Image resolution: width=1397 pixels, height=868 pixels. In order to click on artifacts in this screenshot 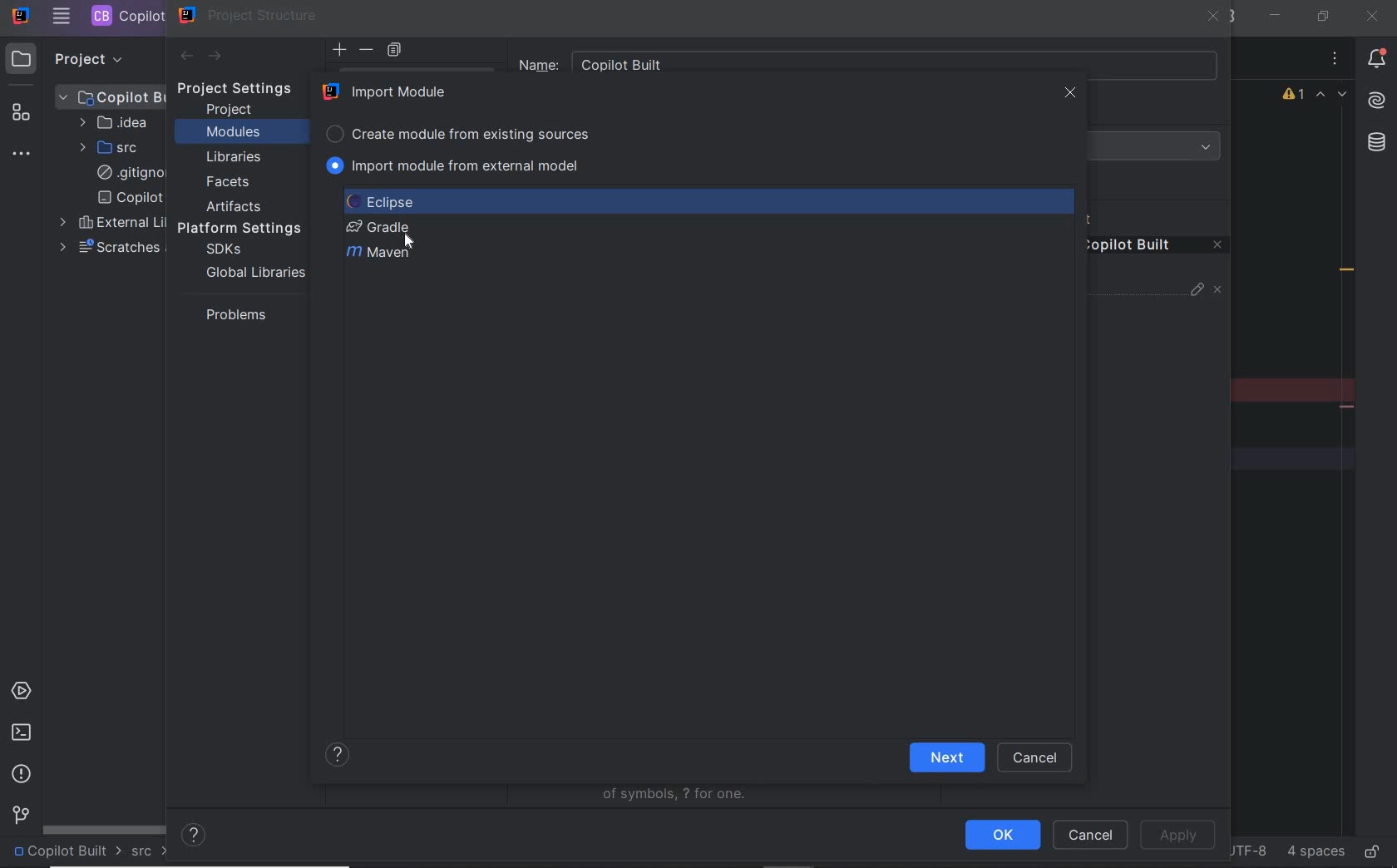, I will do `click(238, 206)`.